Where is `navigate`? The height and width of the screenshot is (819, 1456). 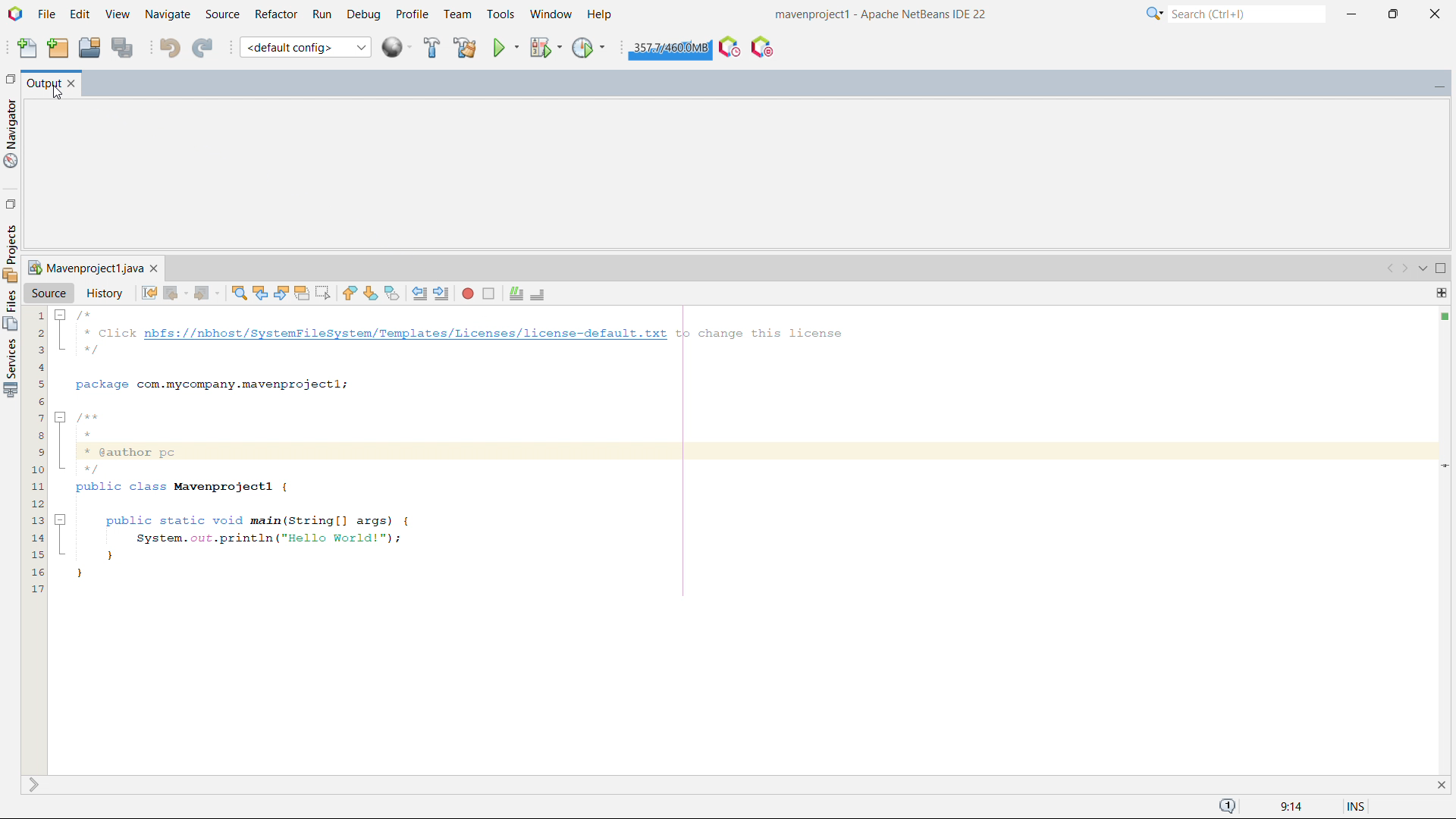
navigate is located at coordinates (168, 14).